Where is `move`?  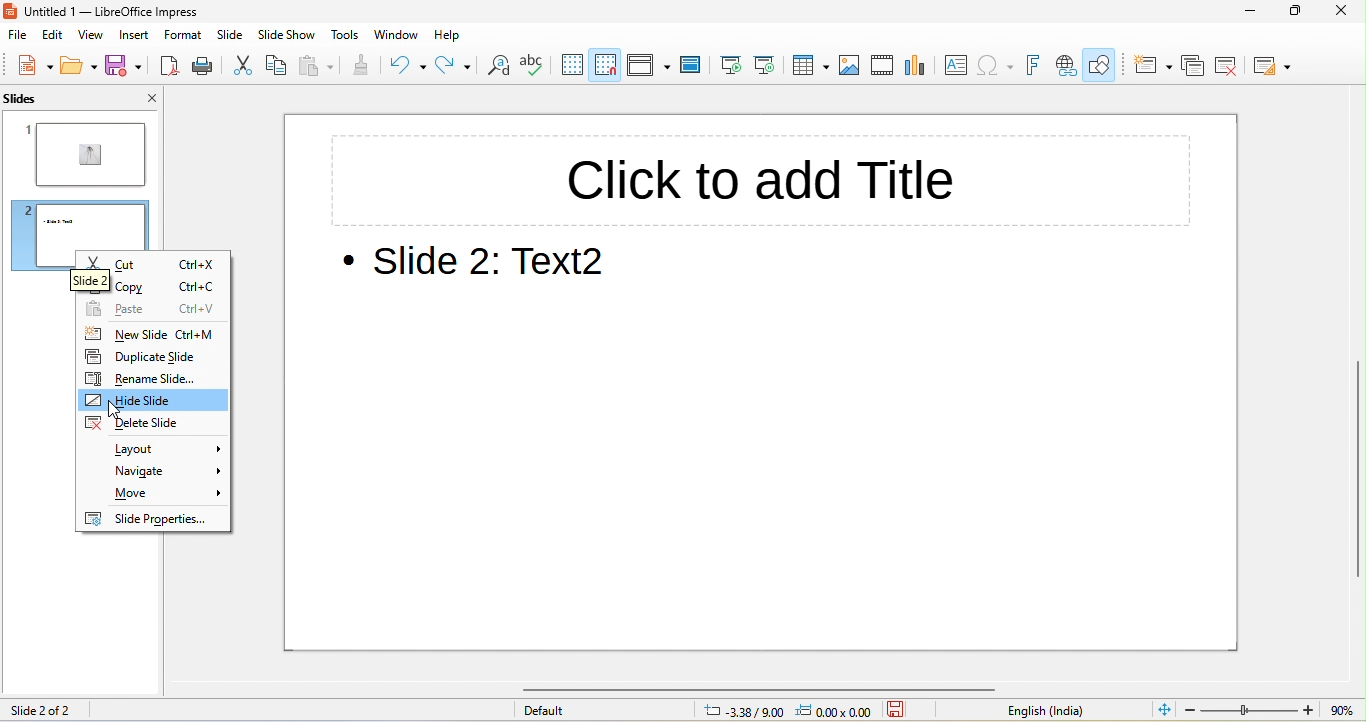
move is located at coordinates (152, 495).